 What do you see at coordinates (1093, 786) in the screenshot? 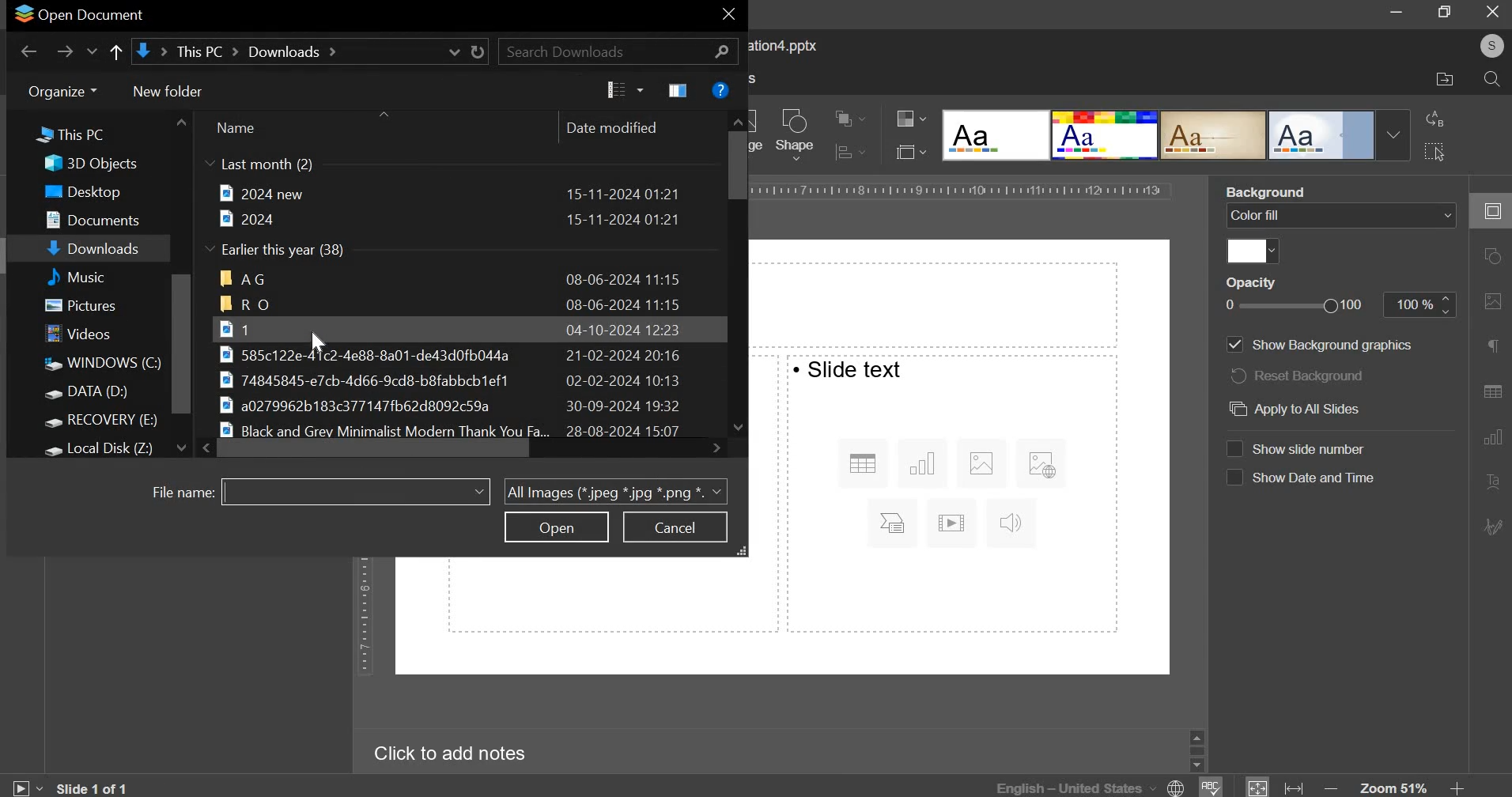
I see `language` at bounding box center [1093, 786].